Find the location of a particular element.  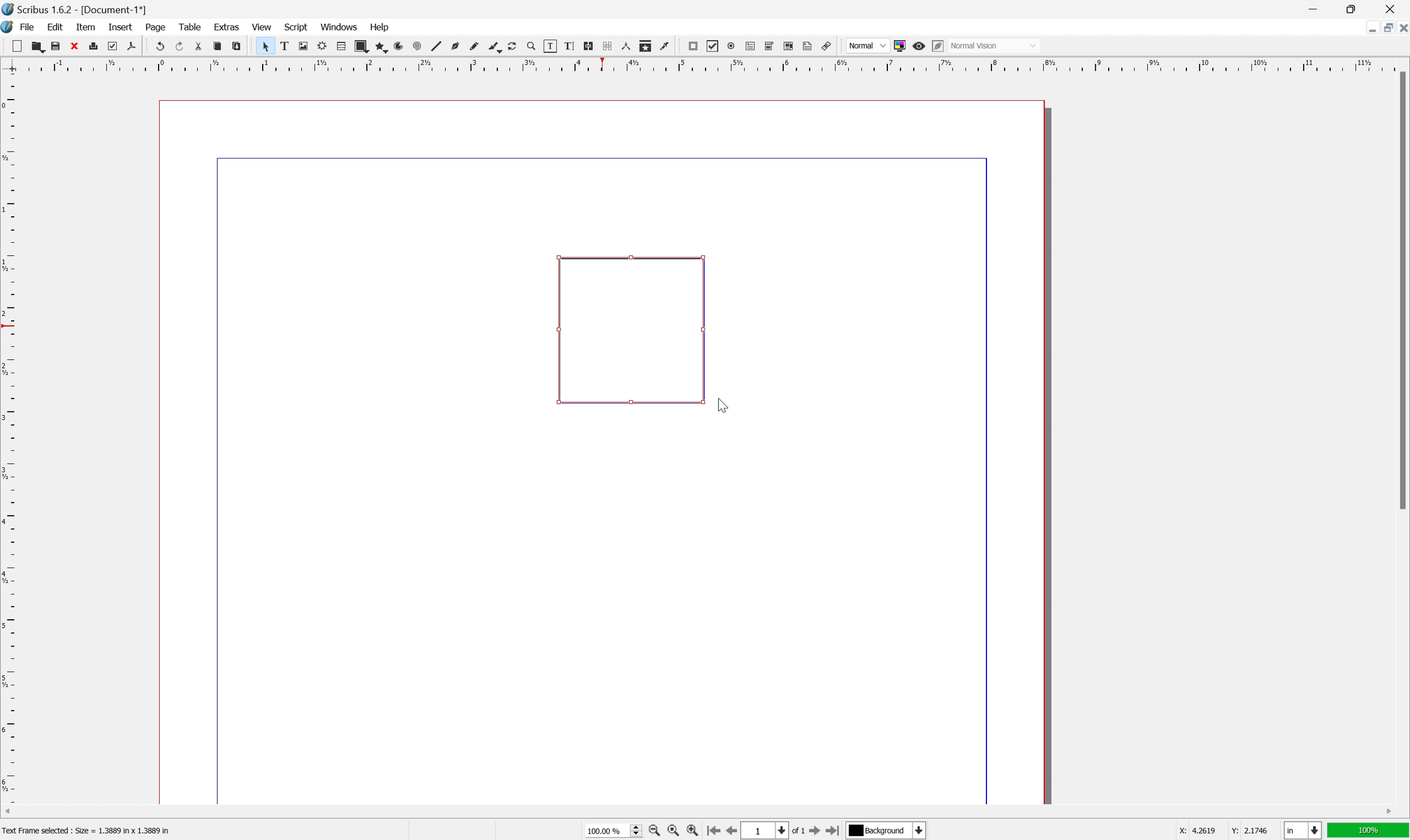

close is located at coordinates (74, 46).